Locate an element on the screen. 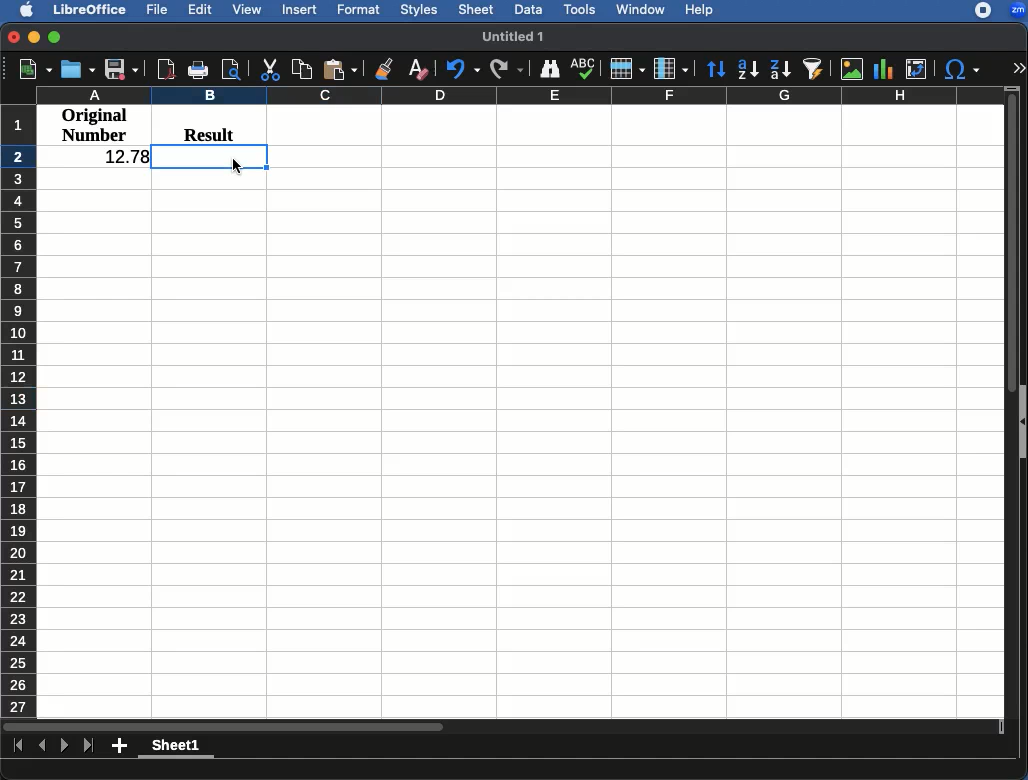 The width and height of the screenshot is (1028, 780). Pivot table is located at coordinates (916, 69).